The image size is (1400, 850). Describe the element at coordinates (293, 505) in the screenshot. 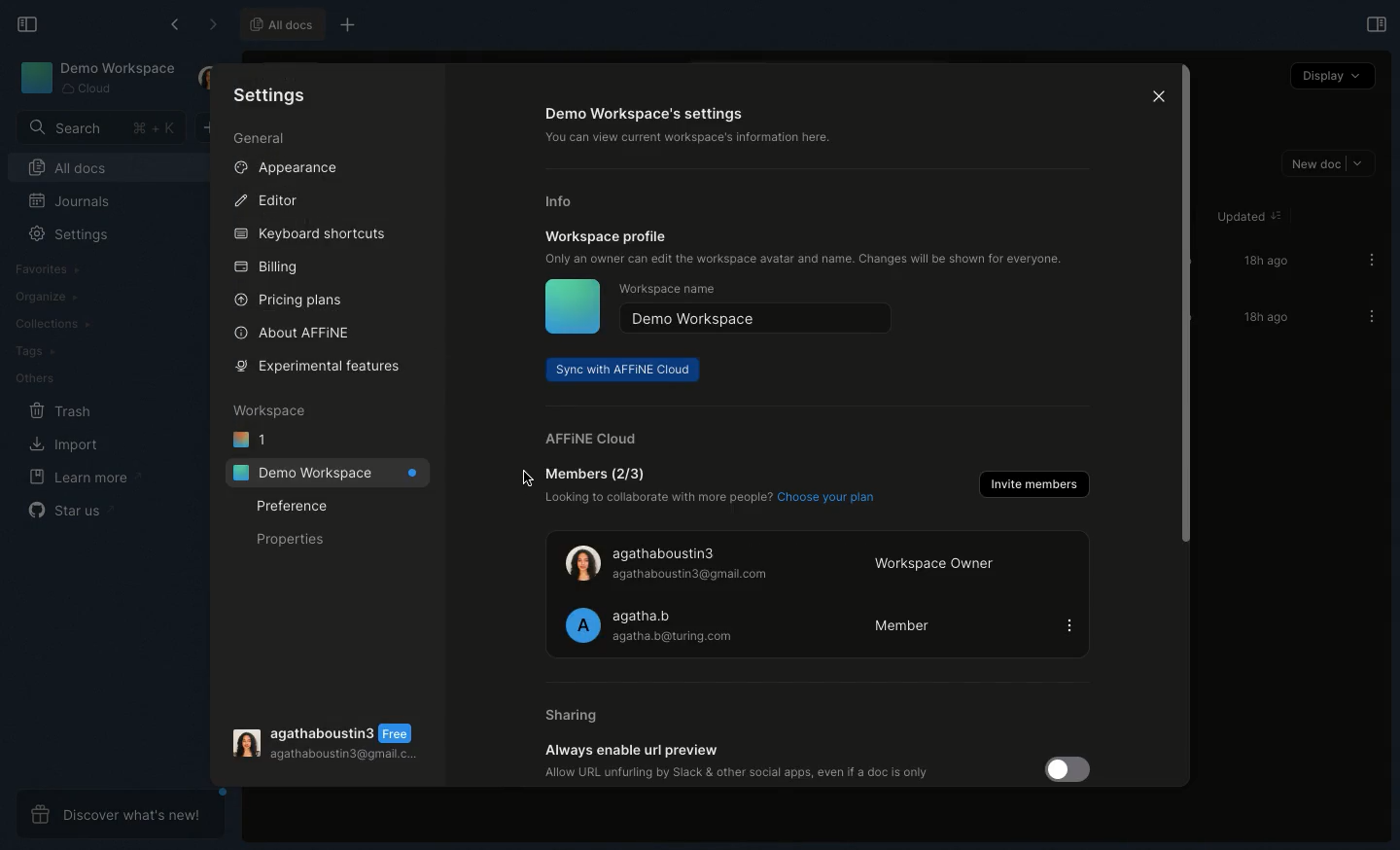

I see `Preference` at that location.